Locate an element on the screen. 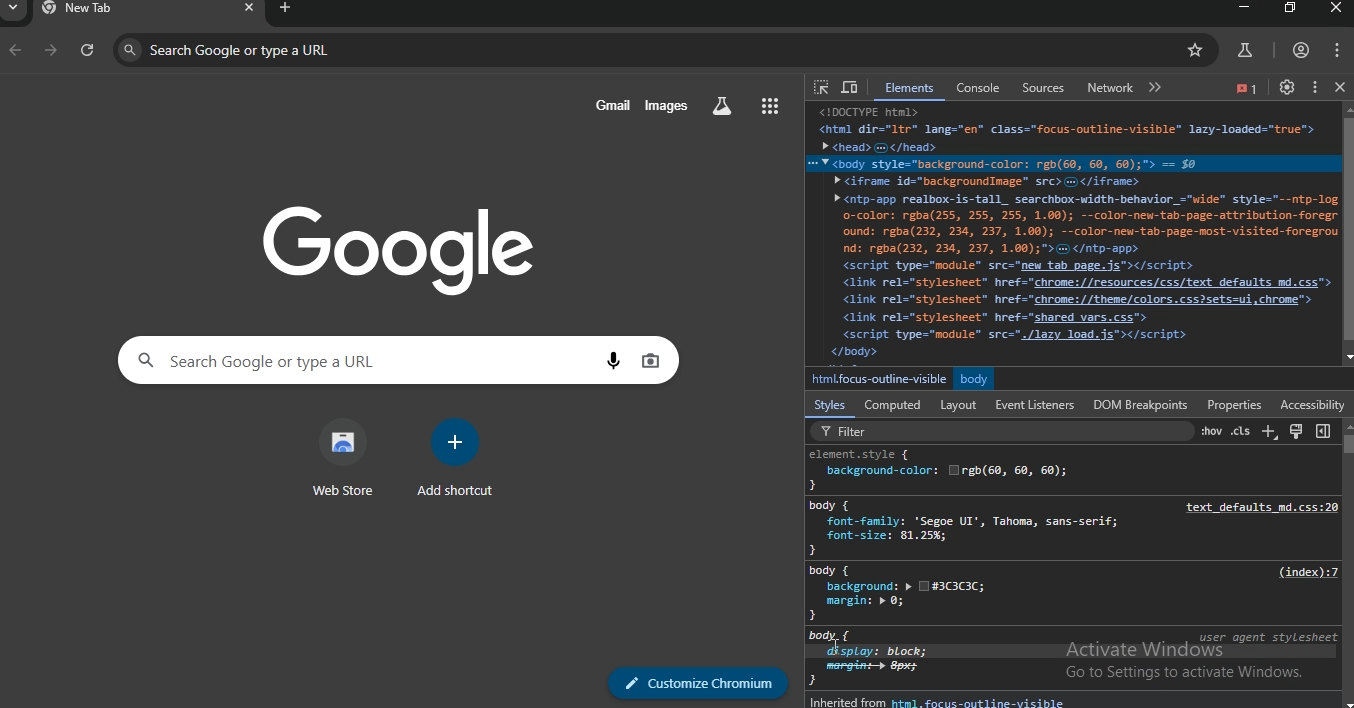 The height and width of the screenshot is (708, 1354). ‘text_defaults_md.css:20 is located at coordinates (1252, 506).